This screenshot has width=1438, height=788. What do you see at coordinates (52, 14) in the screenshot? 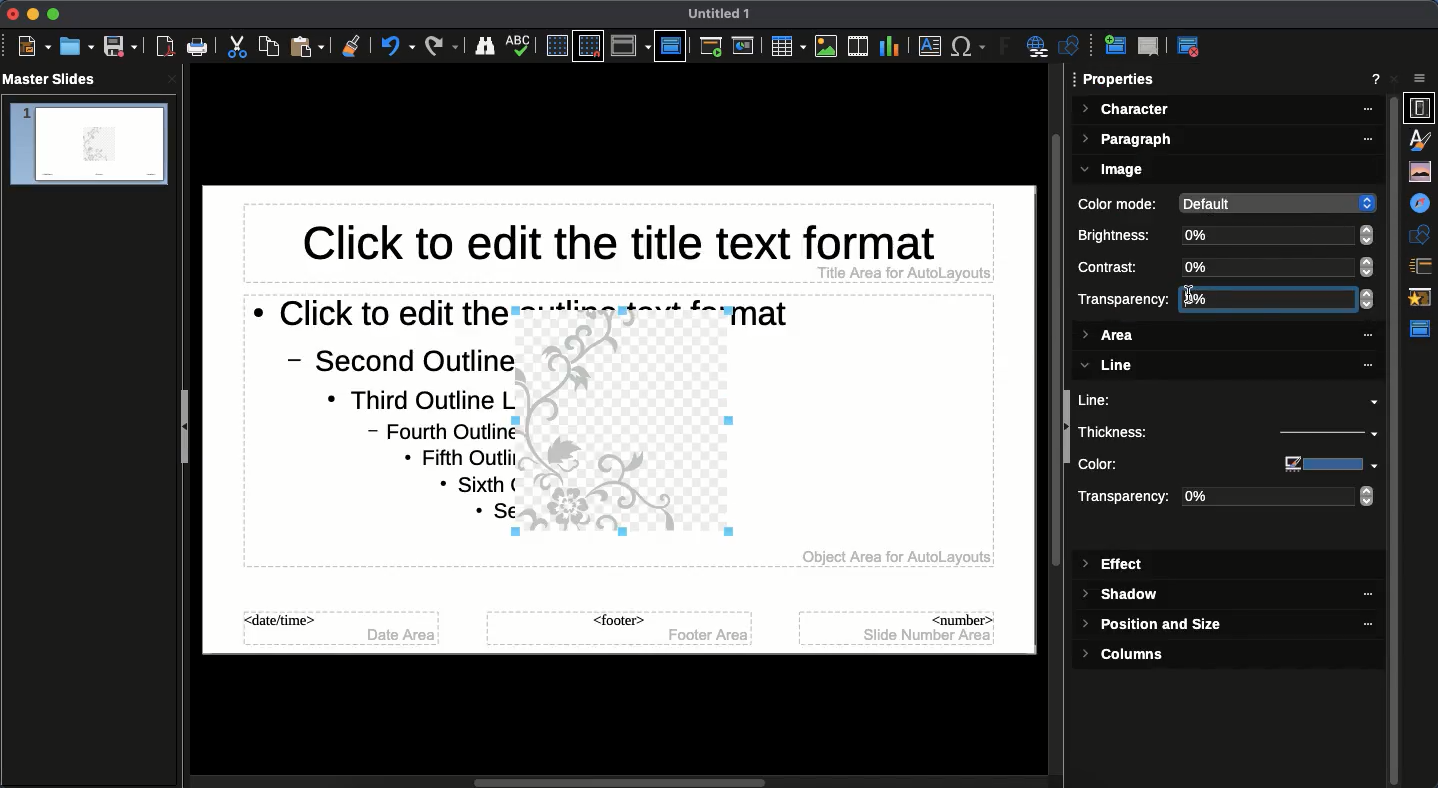
I see `Maximize` at bounding box center [52, 14].